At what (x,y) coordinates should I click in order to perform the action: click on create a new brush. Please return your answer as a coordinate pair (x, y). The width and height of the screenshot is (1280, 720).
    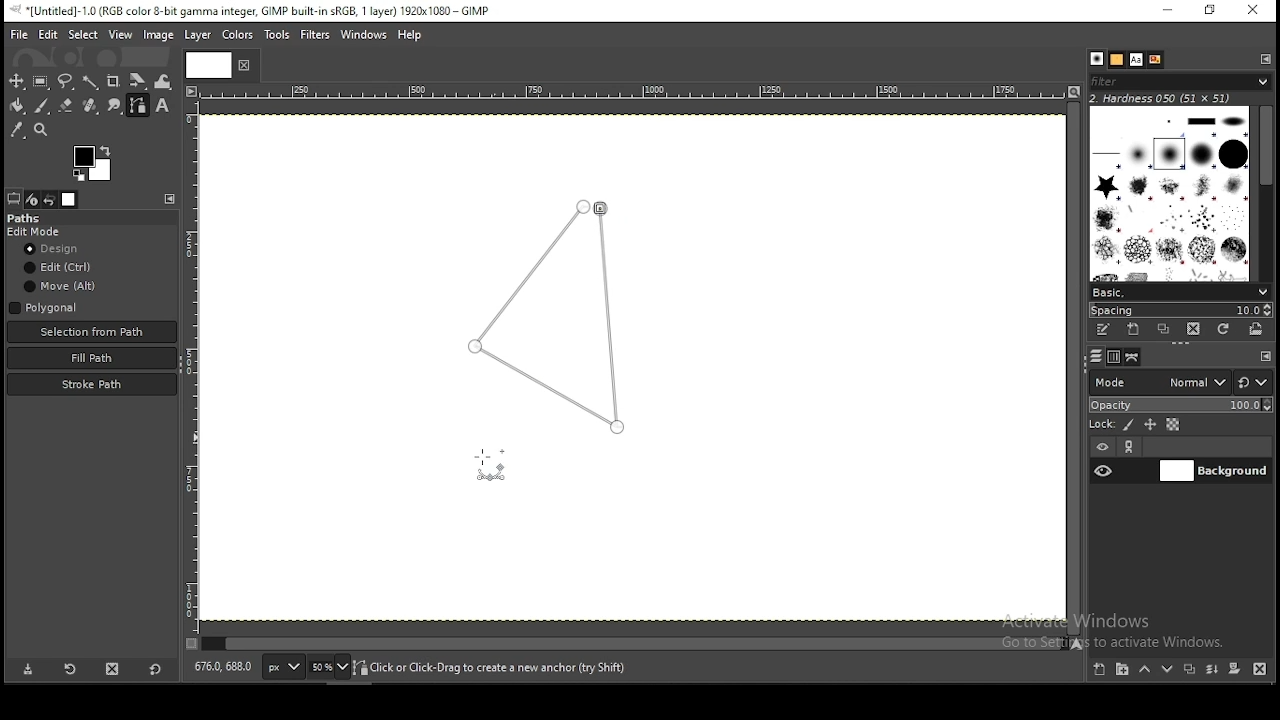
    Looking at the image, I should click on (1135, 329).